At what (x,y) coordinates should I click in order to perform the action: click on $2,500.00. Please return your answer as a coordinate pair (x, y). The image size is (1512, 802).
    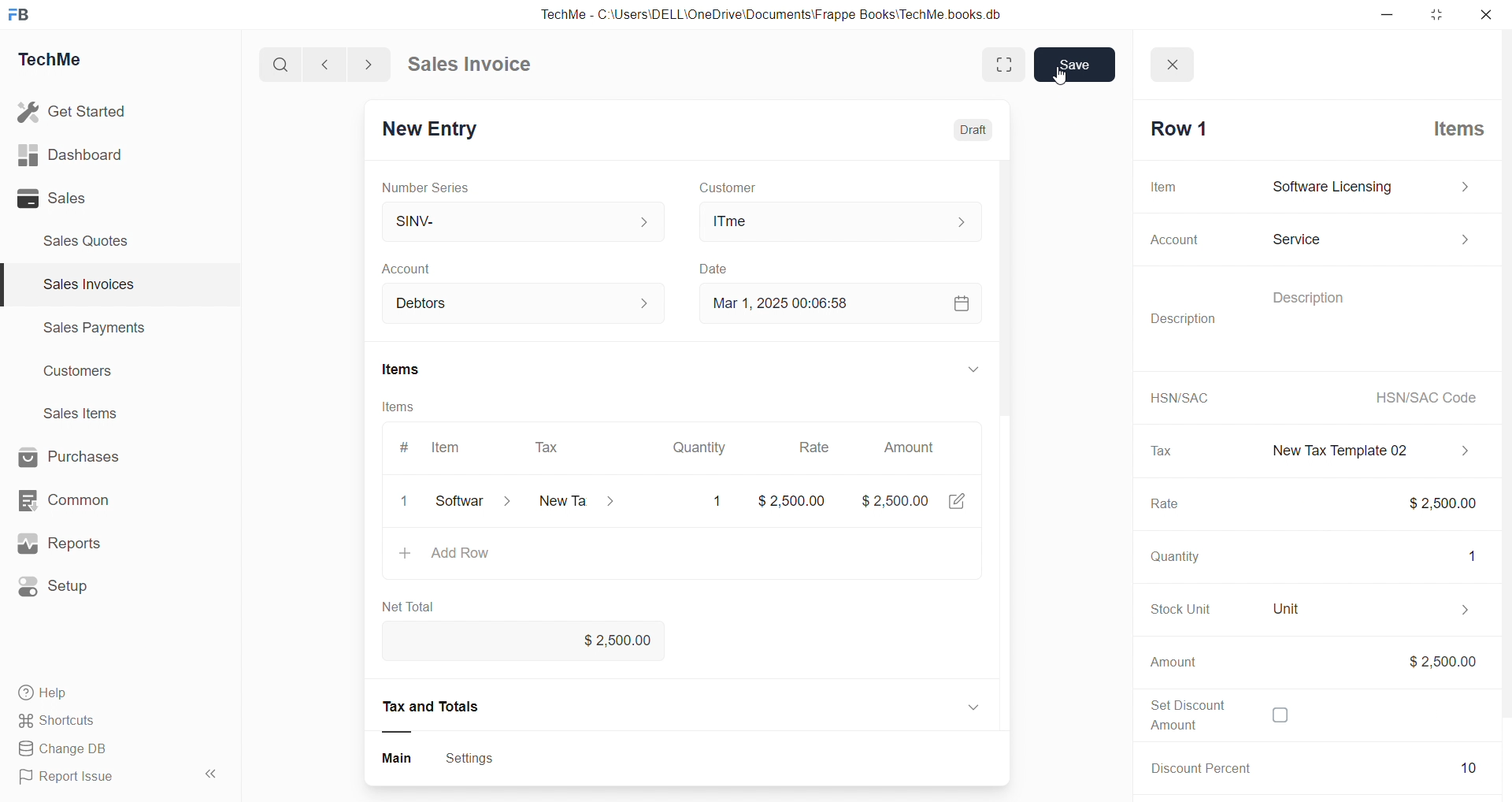
    Looking at the image, I should click on (1440, 661).